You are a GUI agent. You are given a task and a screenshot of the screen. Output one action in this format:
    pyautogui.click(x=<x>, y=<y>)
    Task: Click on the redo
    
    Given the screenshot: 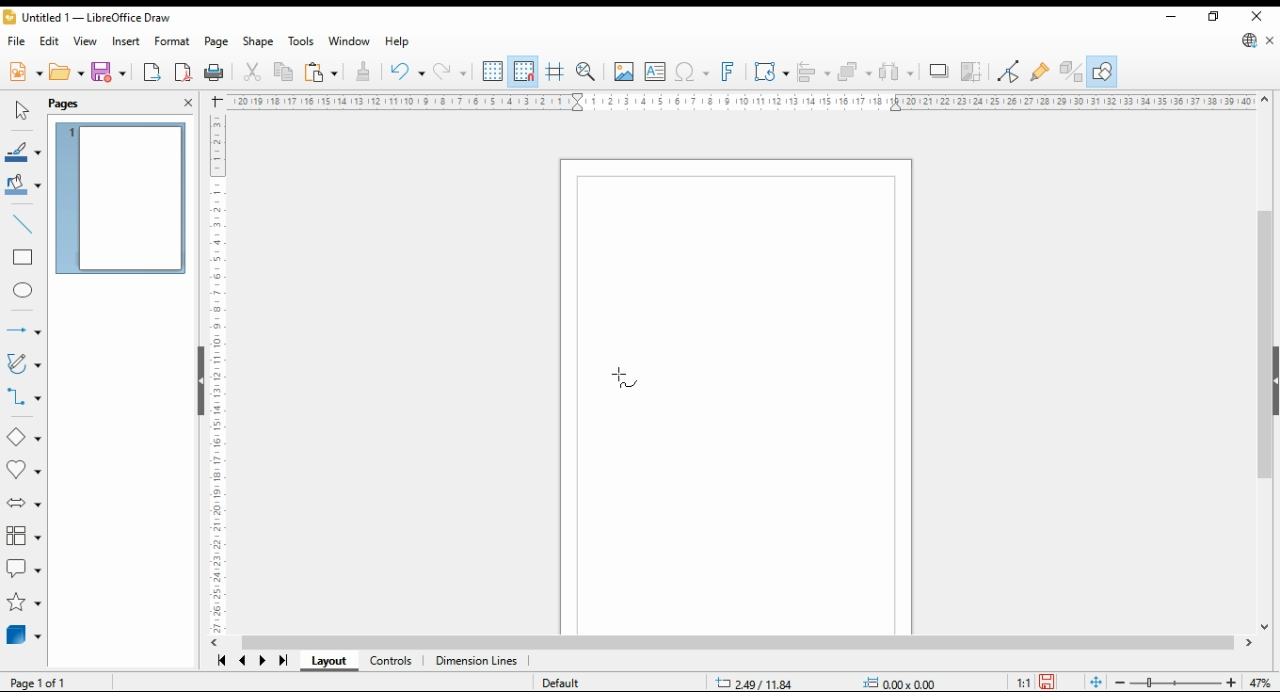 What is the action you would take?
    pyautogui.click(x=452, y=71)
    